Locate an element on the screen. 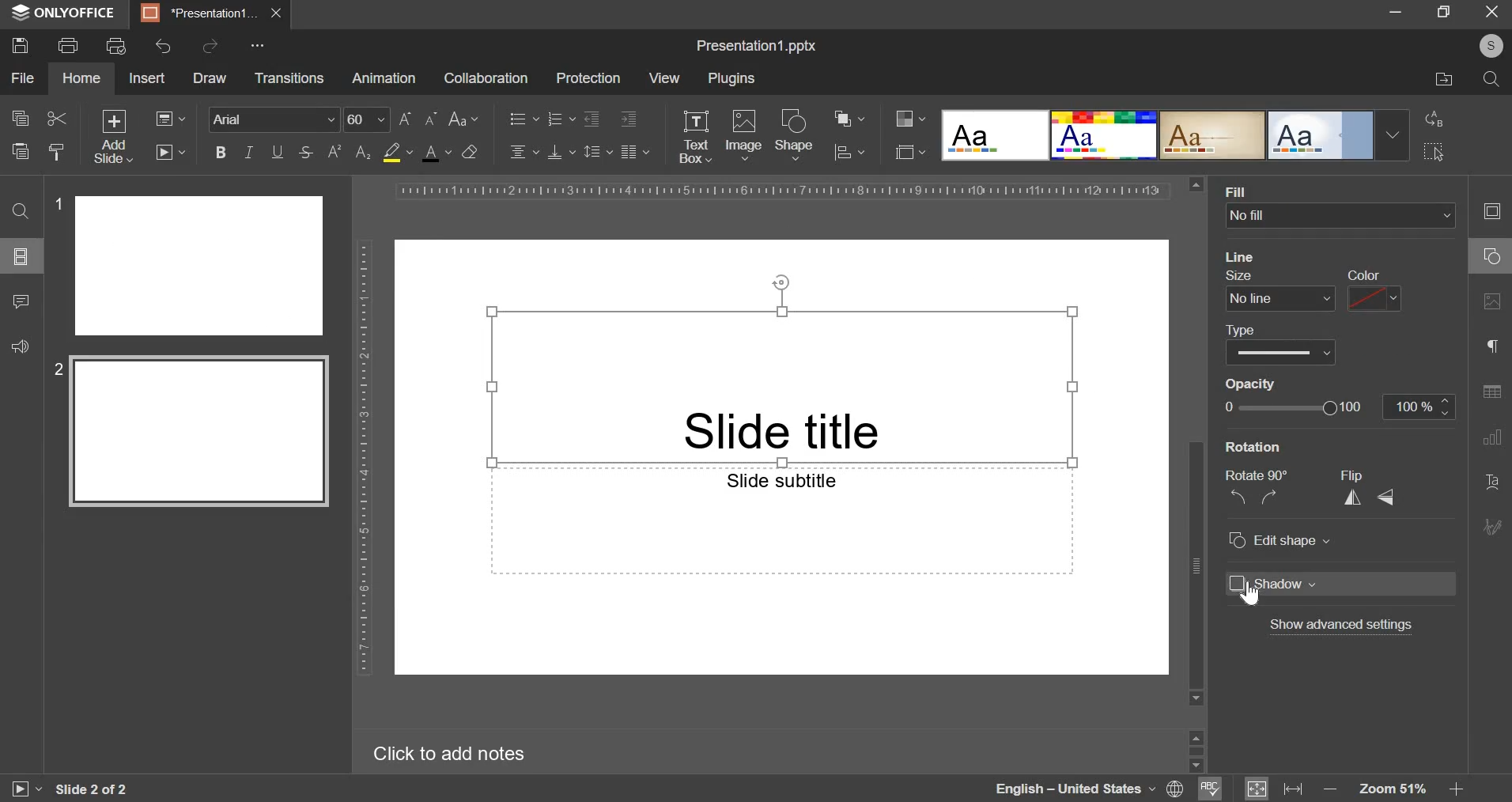 The image size is (1512, 802). increase indent is located at coordinates (629, 119).